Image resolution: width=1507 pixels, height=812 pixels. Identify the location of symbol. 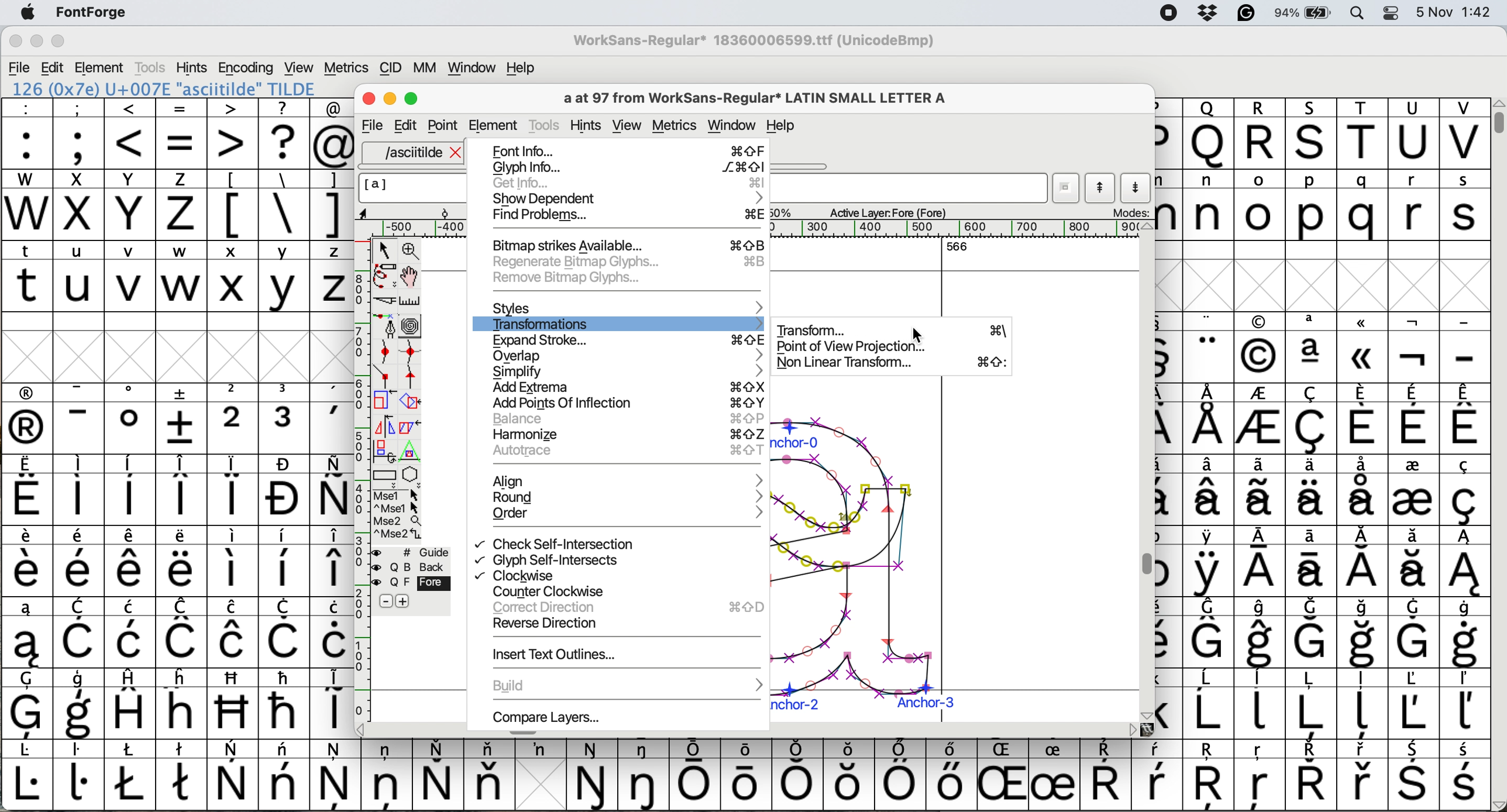
(1364, 562).